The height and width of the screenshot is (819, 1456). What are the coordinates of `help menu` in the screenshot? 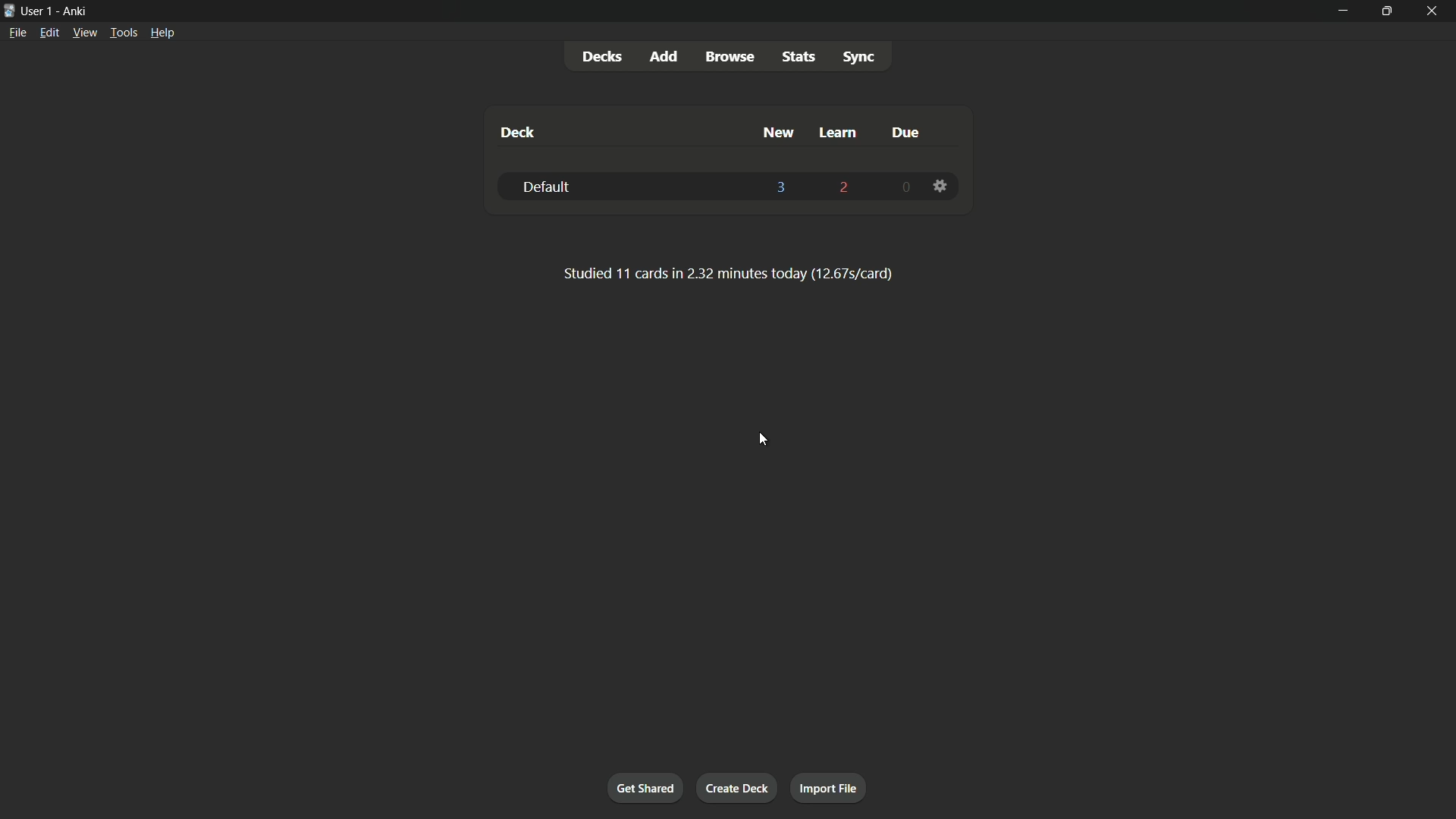 It's located at (163, 32).